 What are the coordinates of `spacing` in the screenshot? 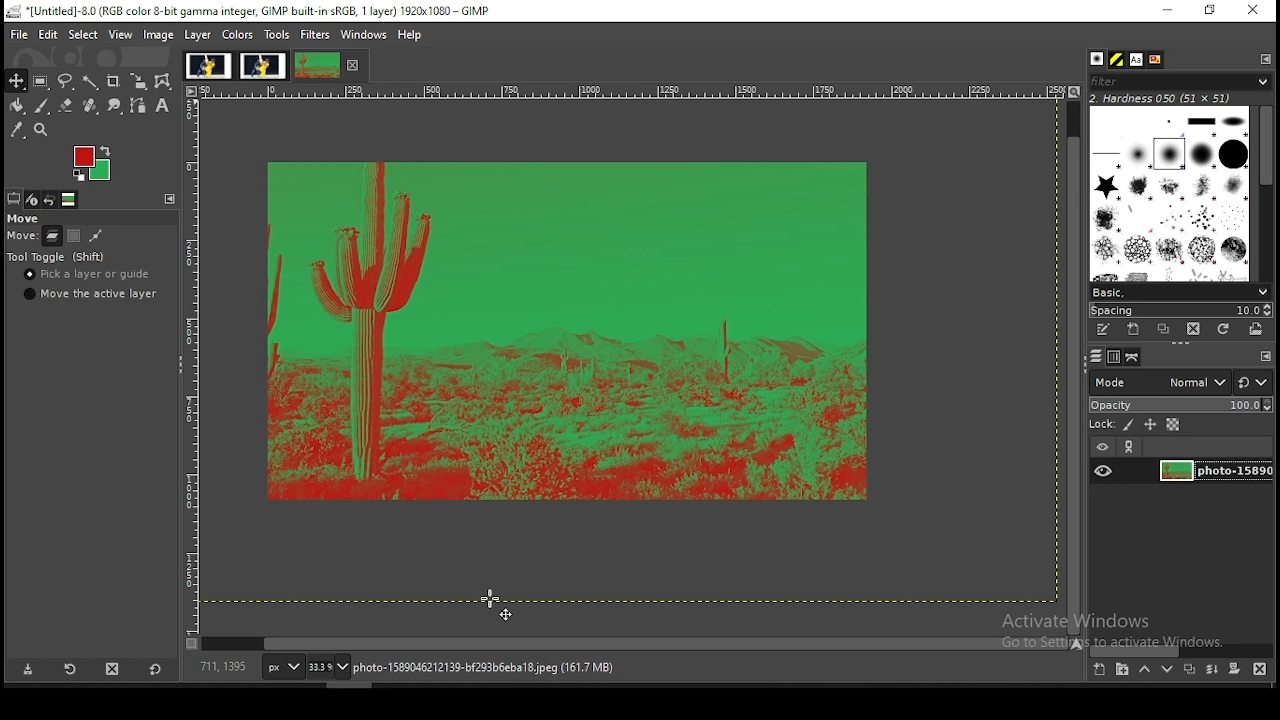 It's located at (1180, 310).